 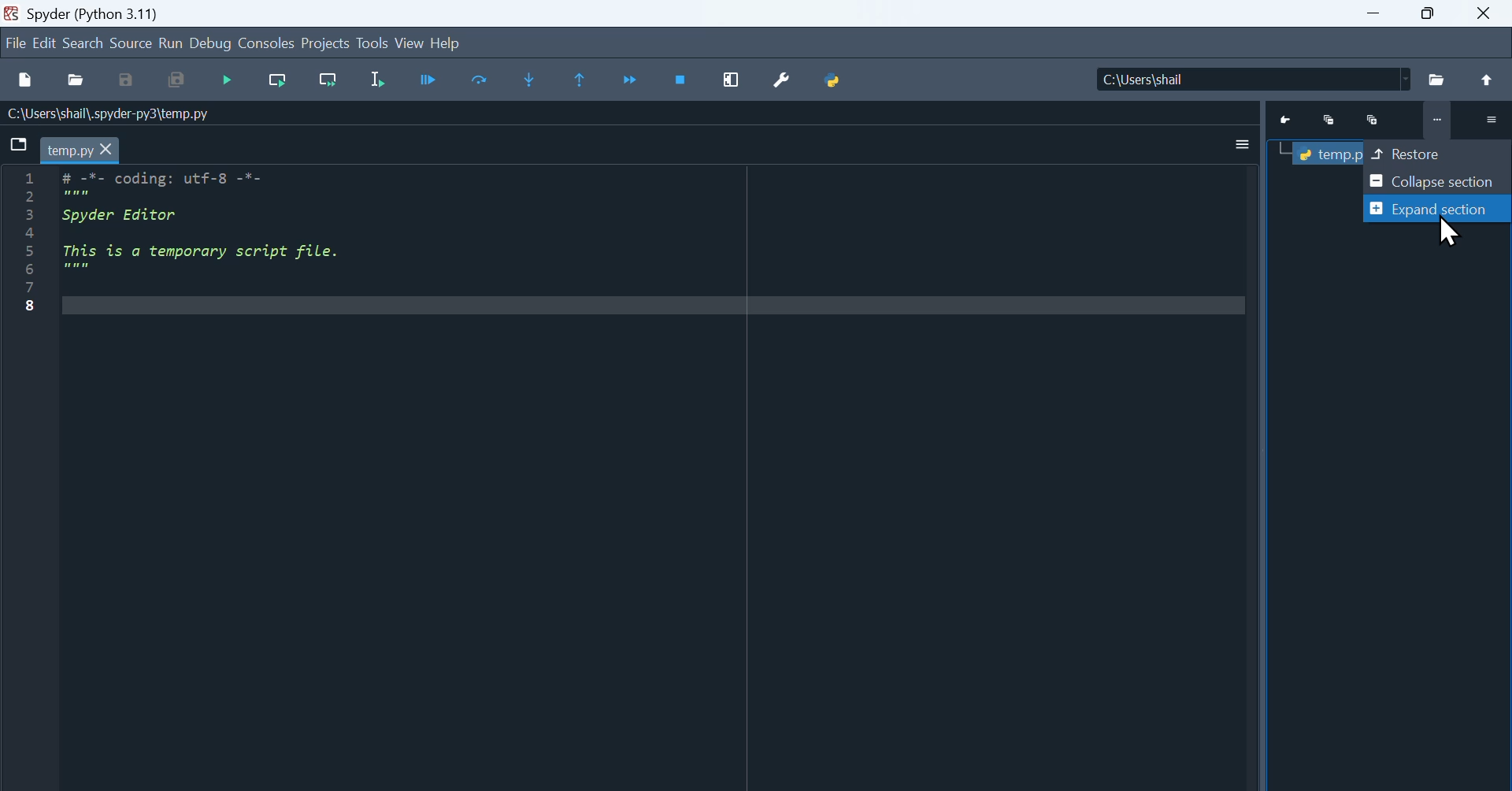 What do you see at coordinates (84, 44) in the screenshot?
I see `search` at bounding box center [84, 44].